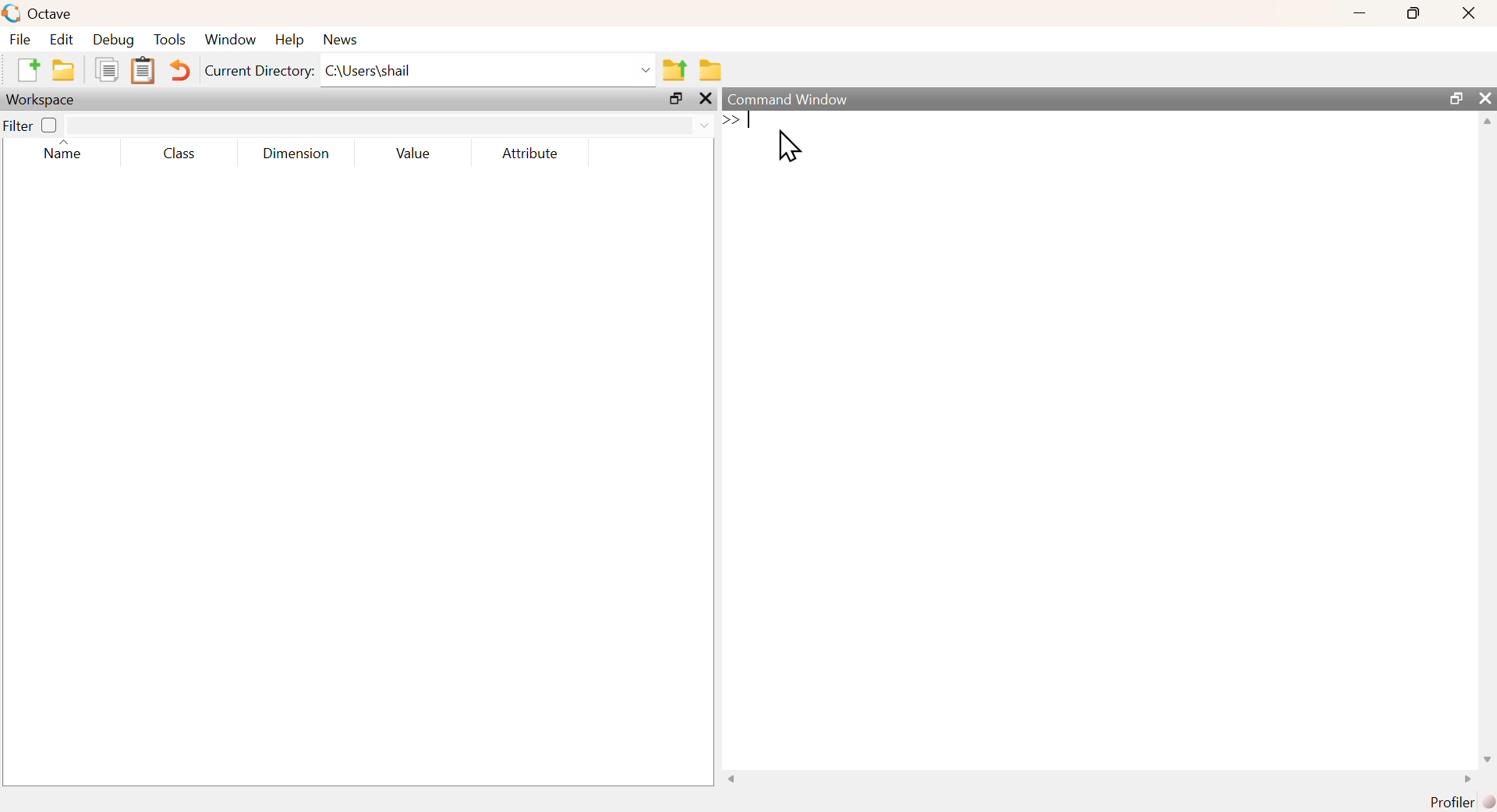  I want to click on Workspace;, so click(41, 100).